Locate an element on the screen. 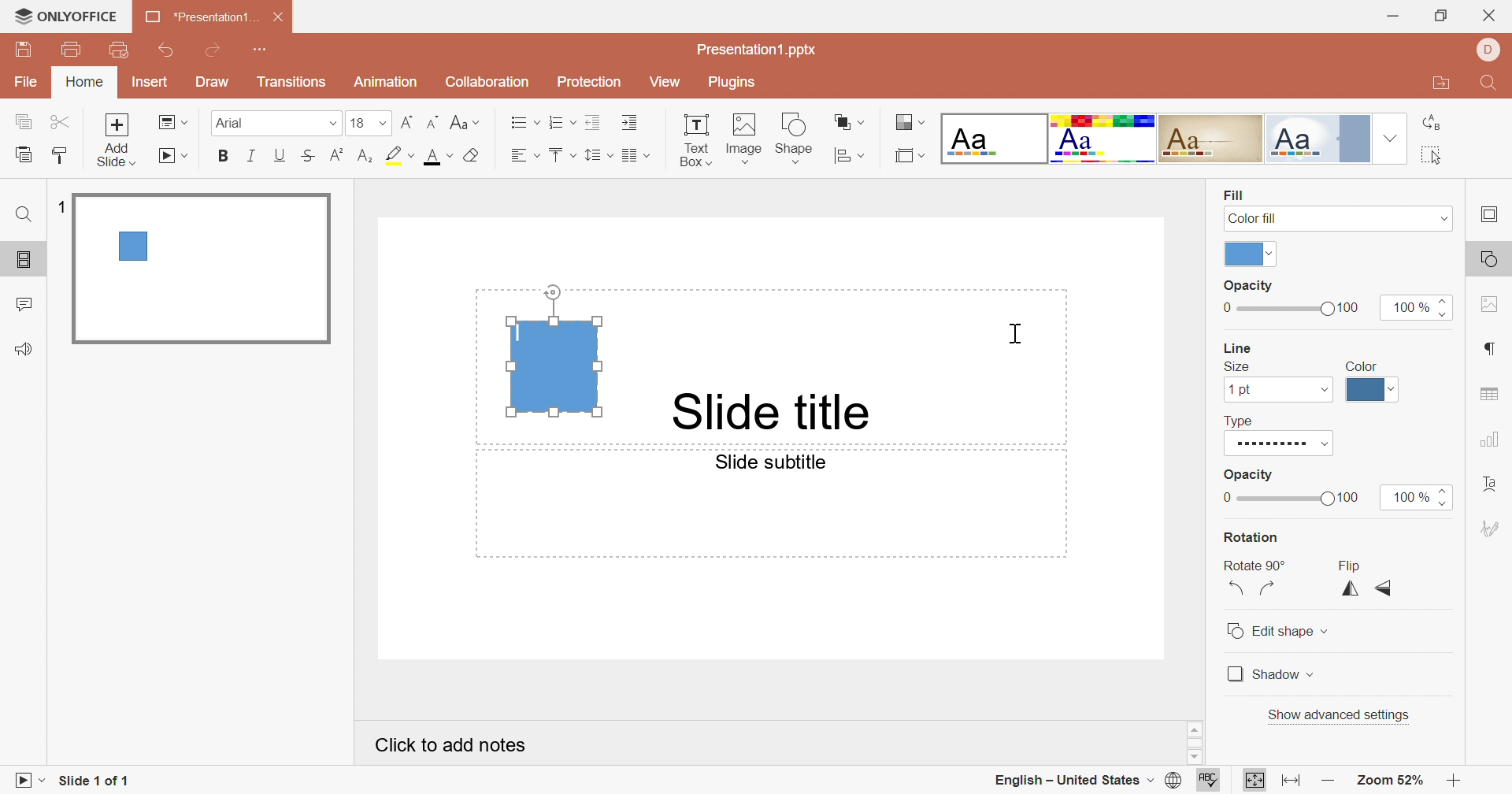 The width and height of the screenshot is (1512, 794). Images is located at coordinates (743, 137).